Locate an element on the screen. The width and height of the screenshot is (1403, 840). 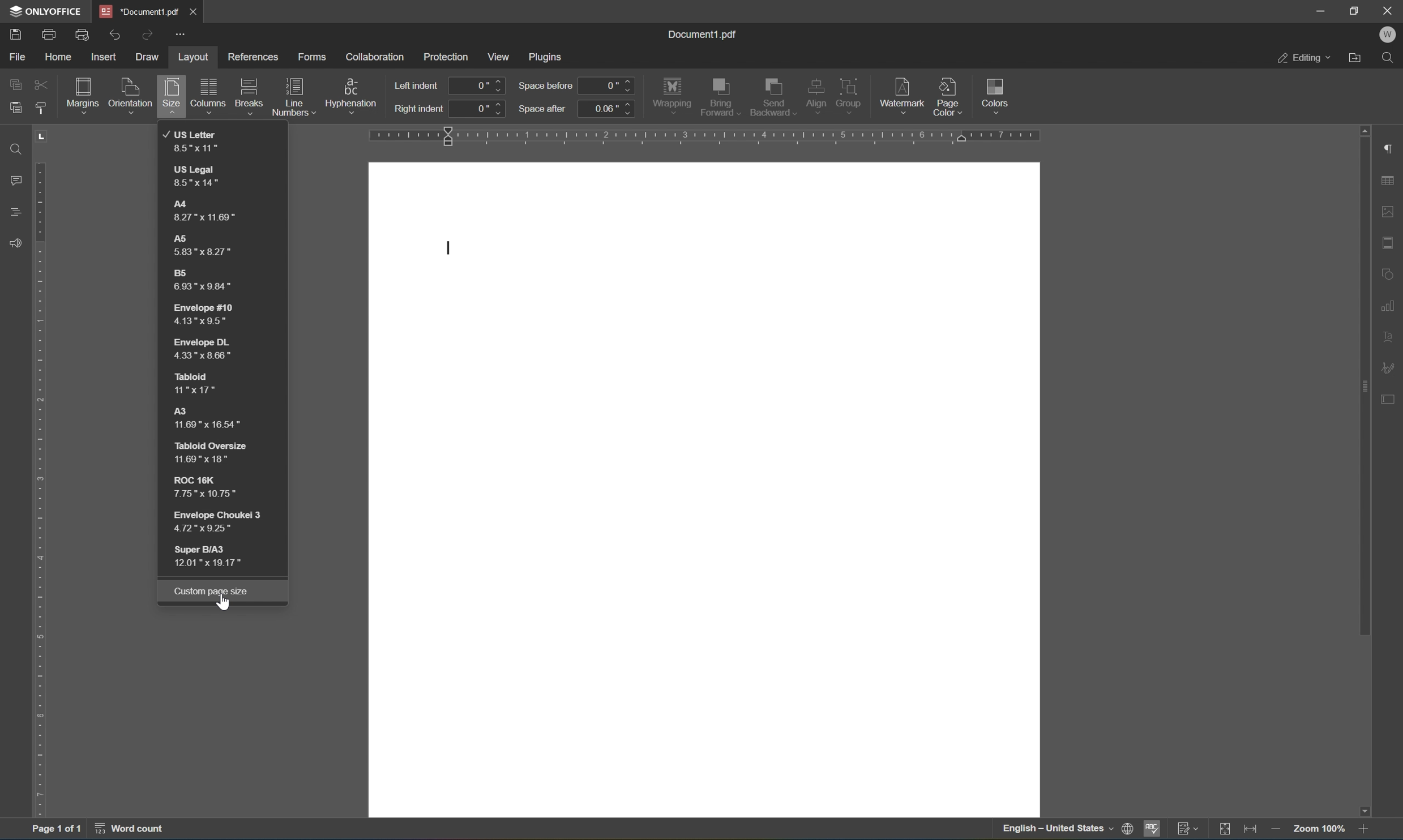
close is located at coordinates (198, 10).